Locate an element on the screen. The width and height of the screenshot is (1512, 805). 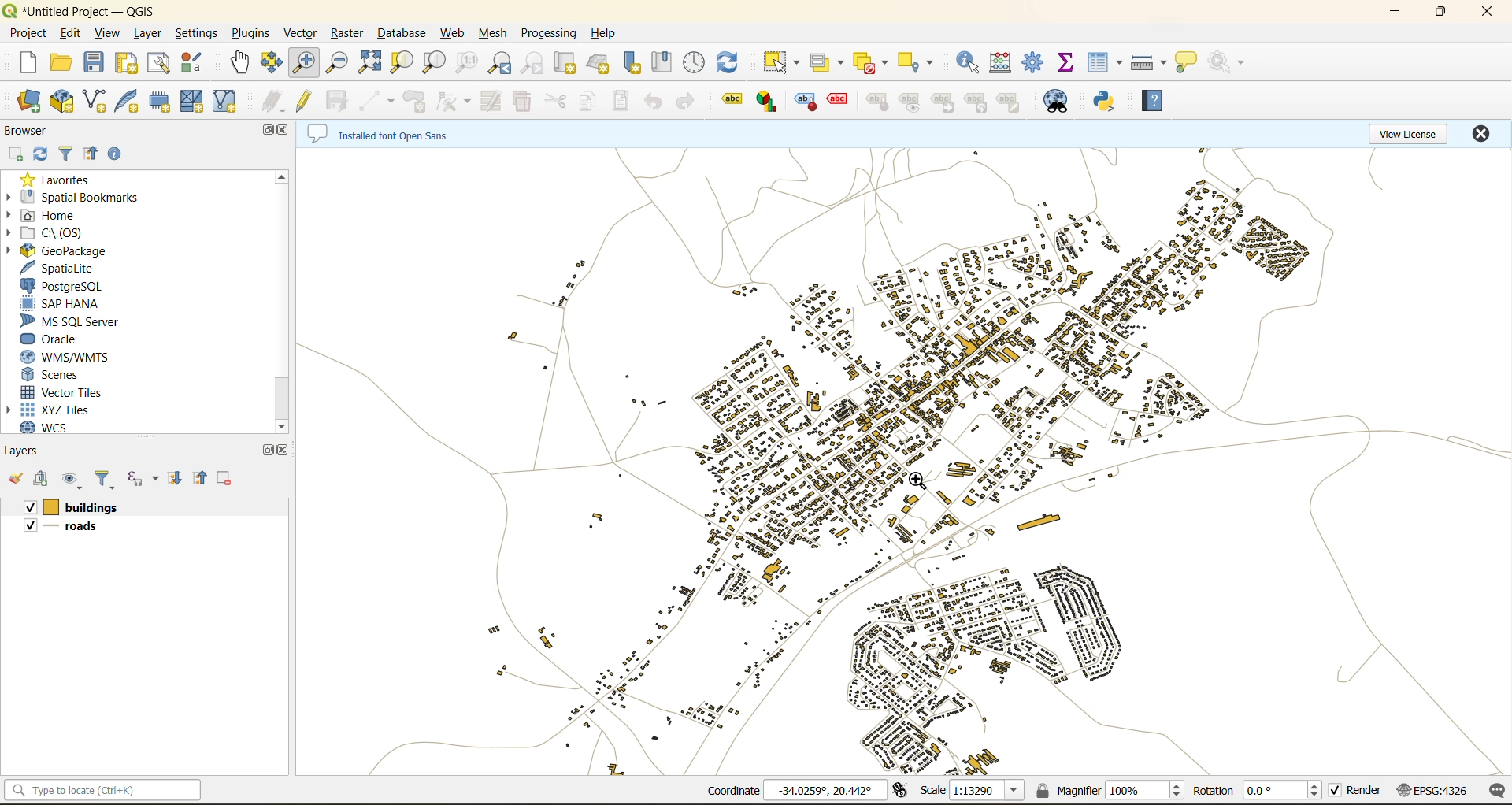
maximize is located at coordinates (266, 450).